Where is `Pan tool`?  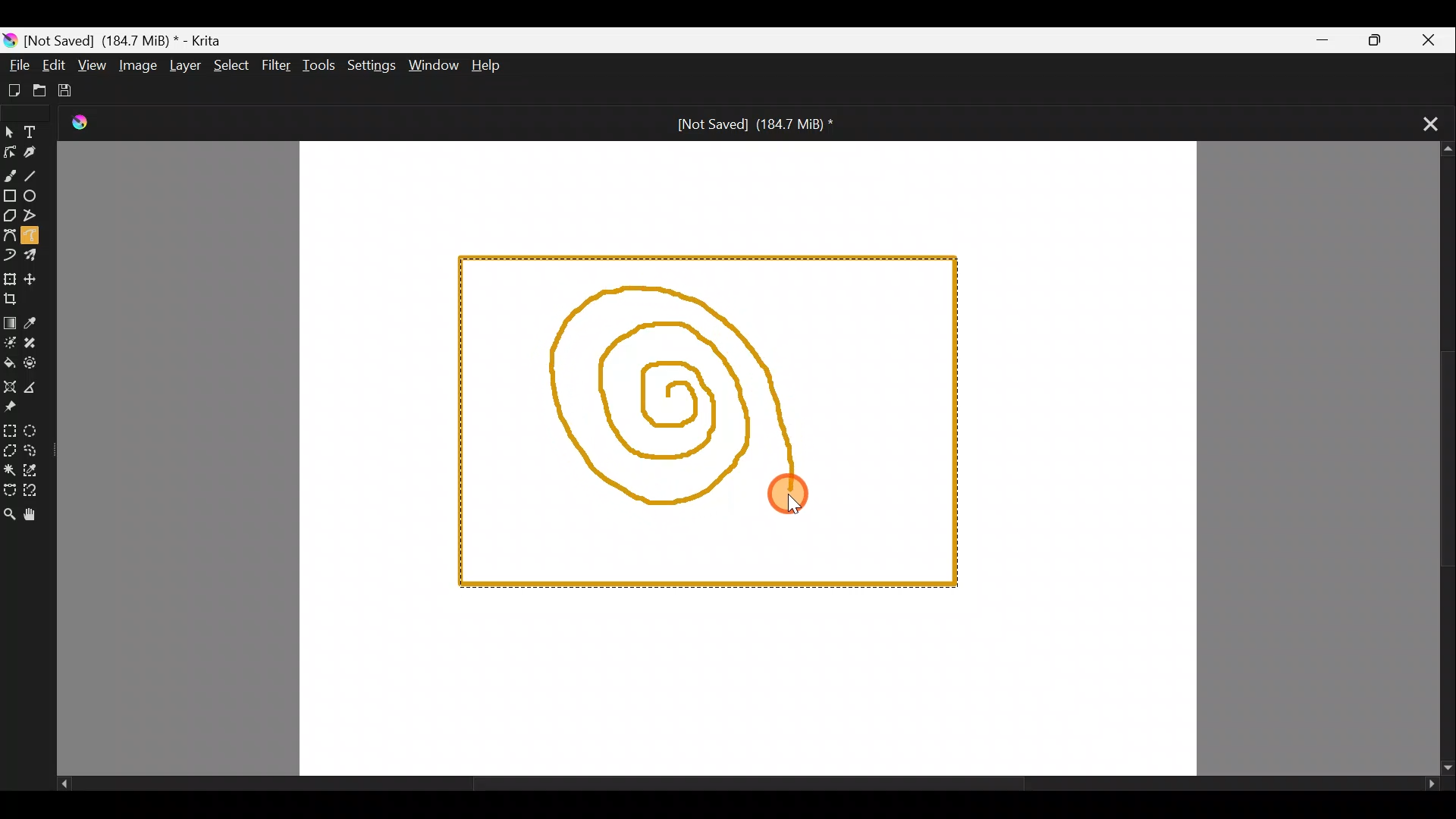 Pan tool is located at coordinates (39, 516).